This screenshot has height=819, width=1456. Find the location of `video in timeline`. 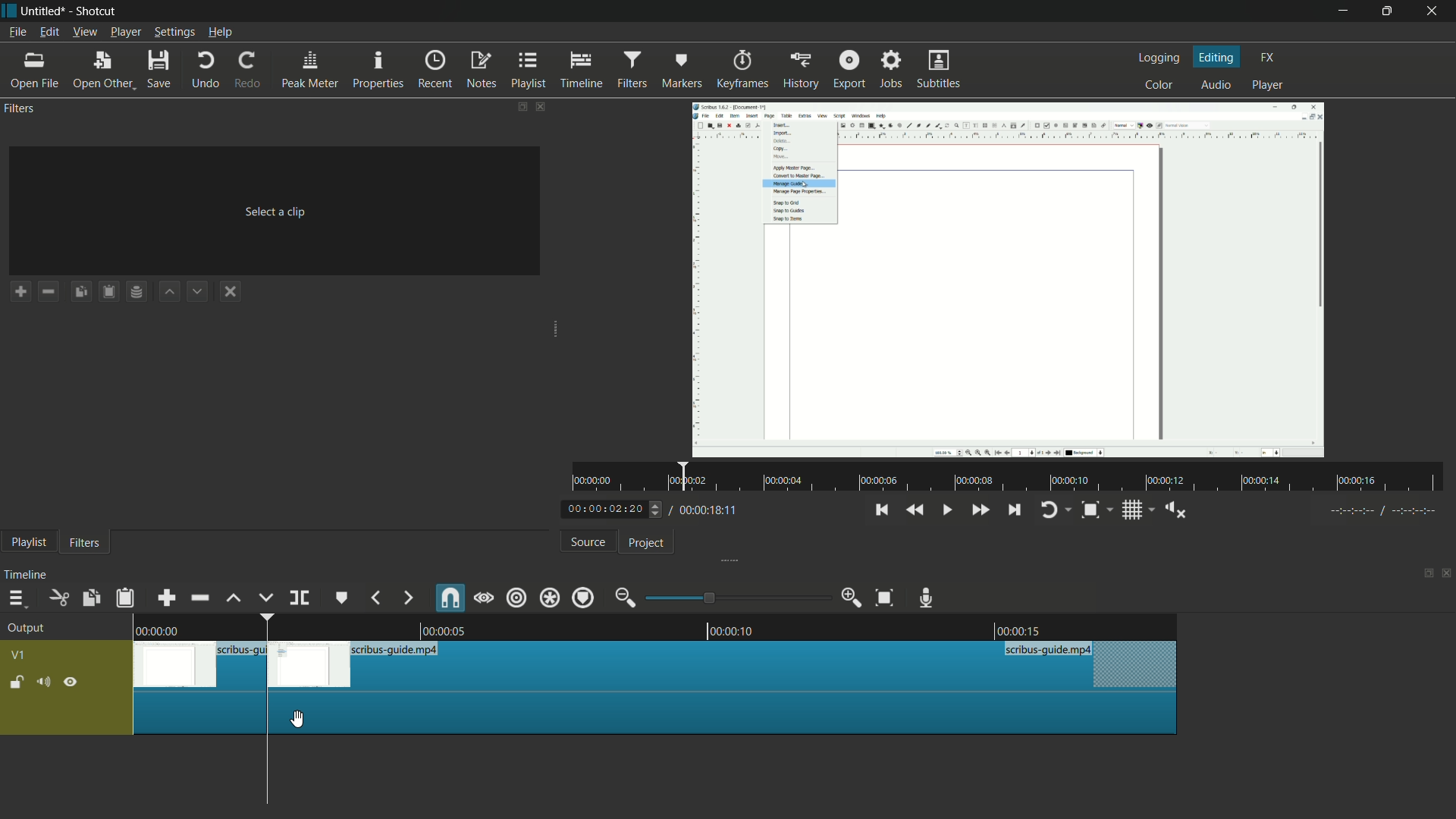

video in timeline is located at coordinates (654, 685).